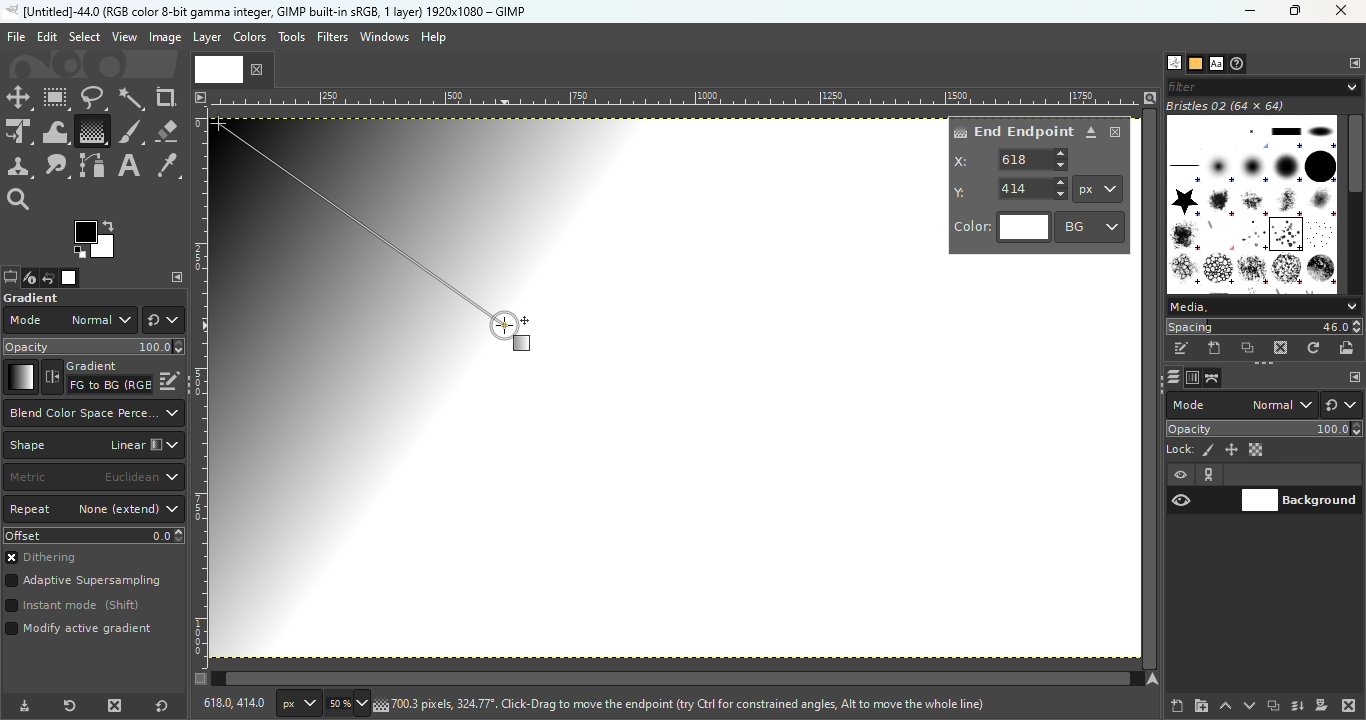 This screenshot has width=1366, height=720. What do you see at coordinates (94, 535) in the screenshot?
I see `Offset` at bounding box center [94, 535].